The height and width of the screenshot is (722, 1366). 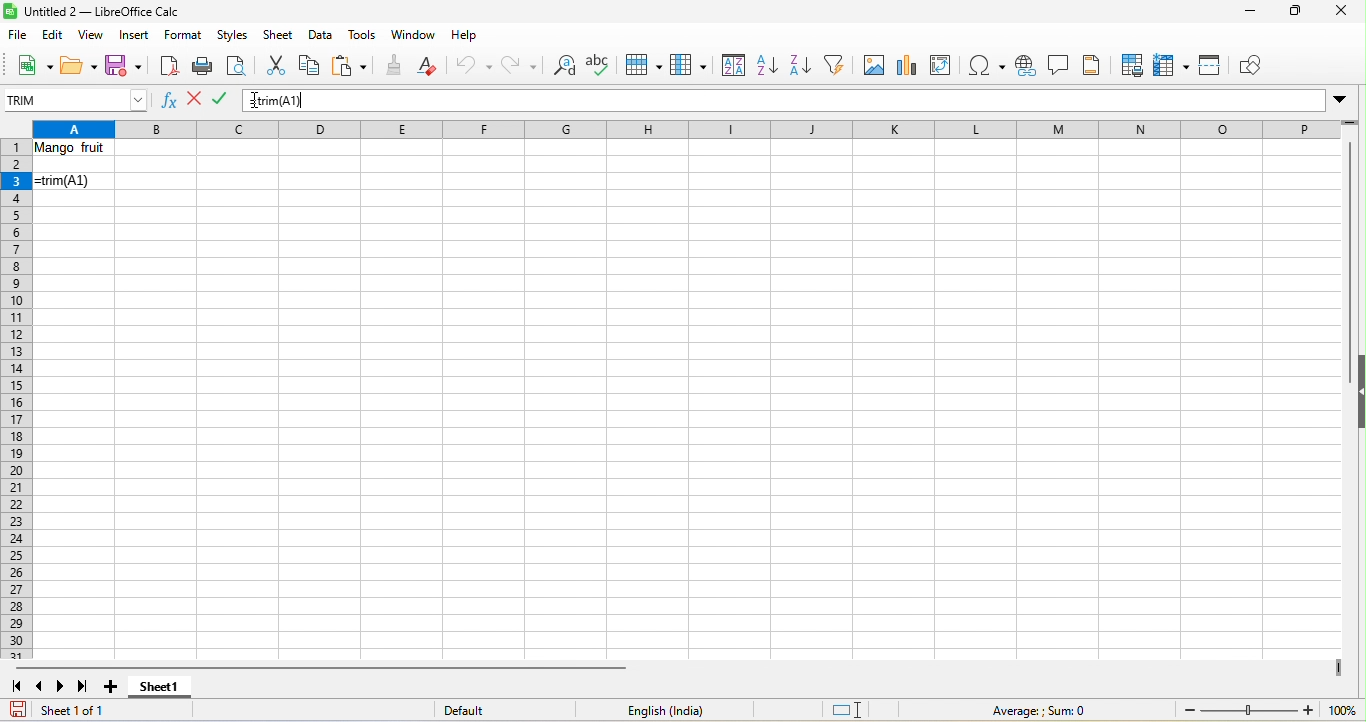 What do you see at coordinates (853, 709) in the screenshot?
I see `standard selection` at bounding box center [853, 709].